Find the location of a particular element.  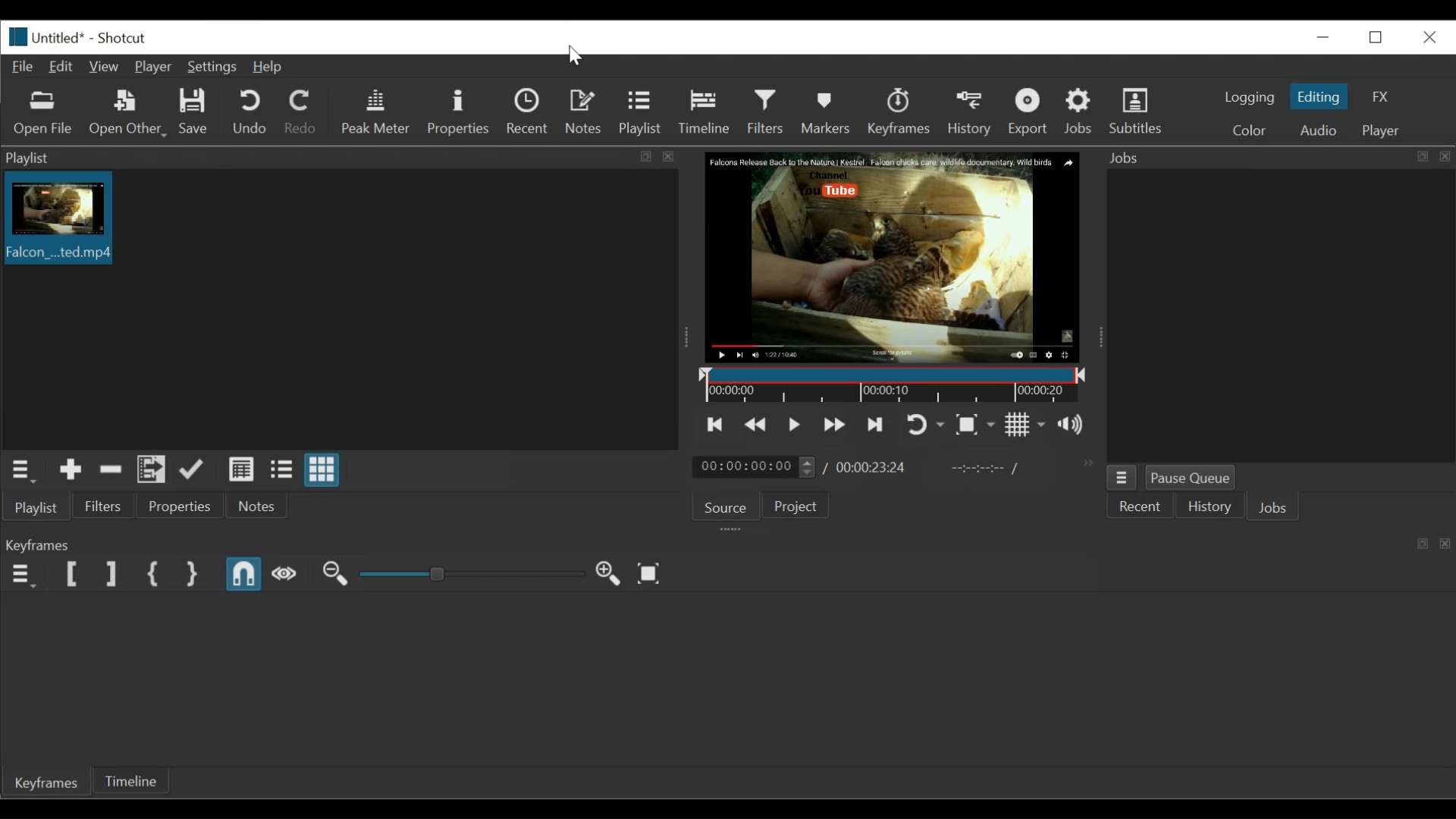

Play quickly forward is located at coordinates (836, 424).